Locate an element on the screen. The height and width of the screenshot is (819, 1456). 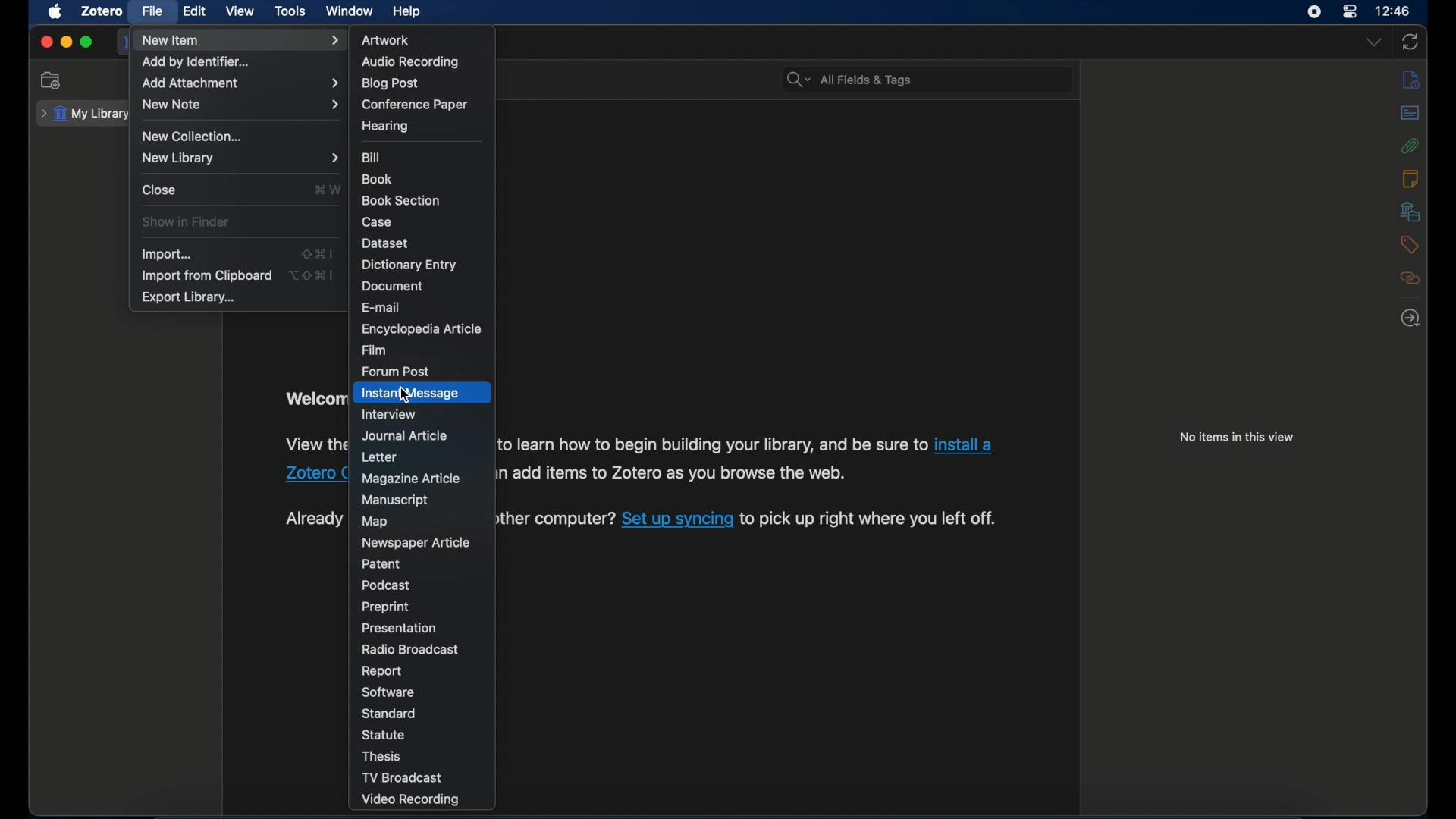
tools is located at coordinates (290, 11).